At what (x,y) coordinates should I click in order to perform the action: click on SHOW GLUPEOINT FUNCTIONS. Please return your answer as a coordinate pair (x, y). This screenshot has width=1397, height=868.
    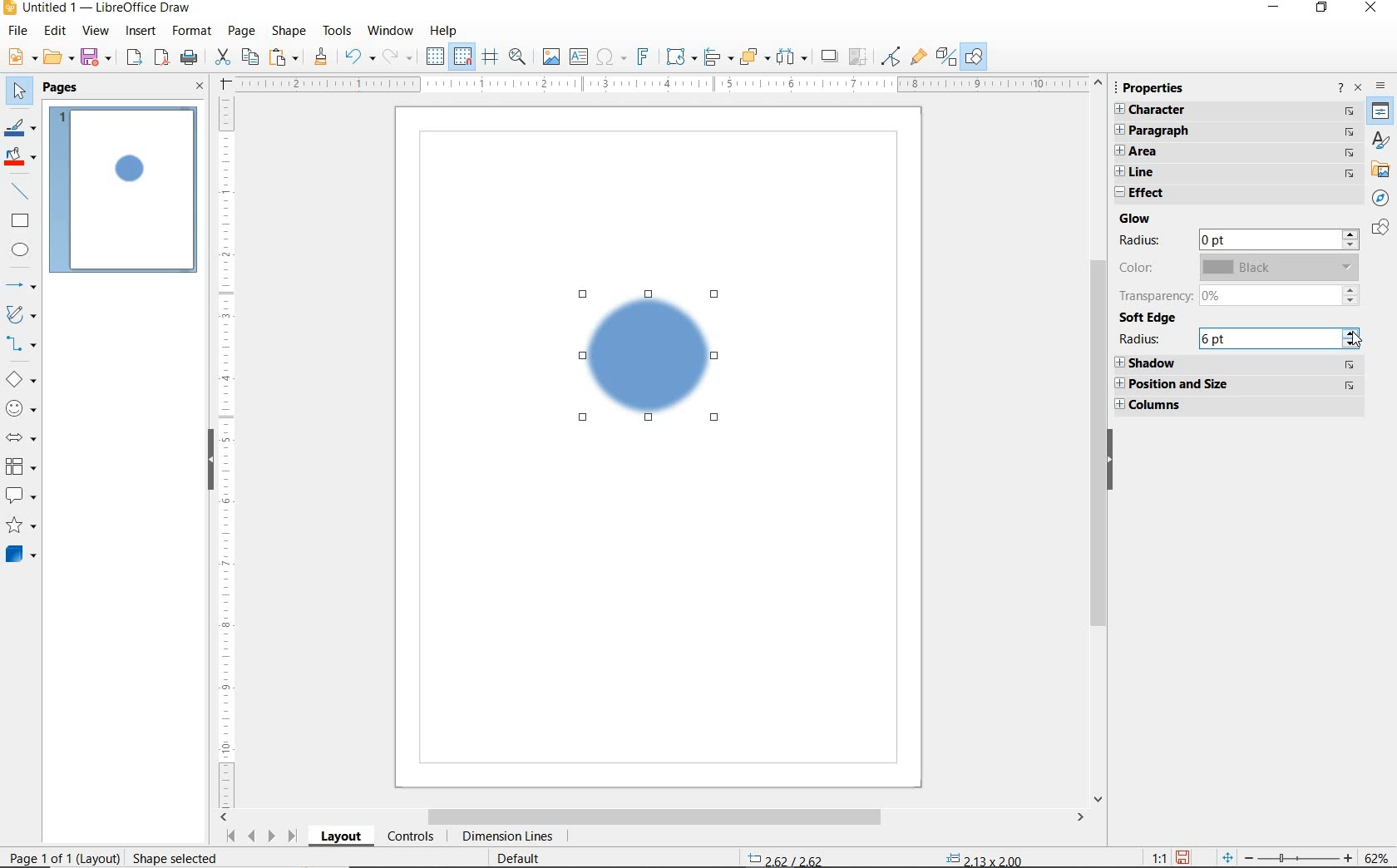
    Looking at the image, I should click on (919, 59).